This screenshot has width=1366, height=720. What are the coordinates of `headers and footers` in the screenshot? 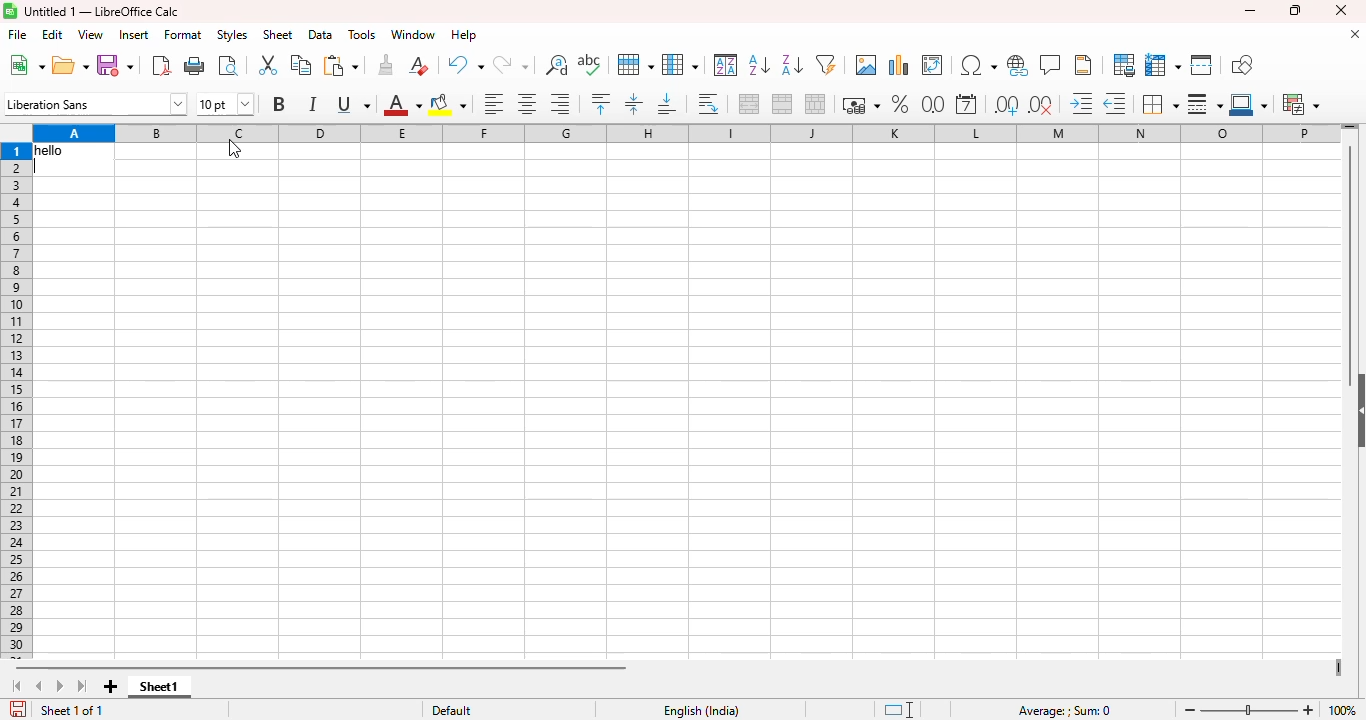 It's located at (1084, 65).